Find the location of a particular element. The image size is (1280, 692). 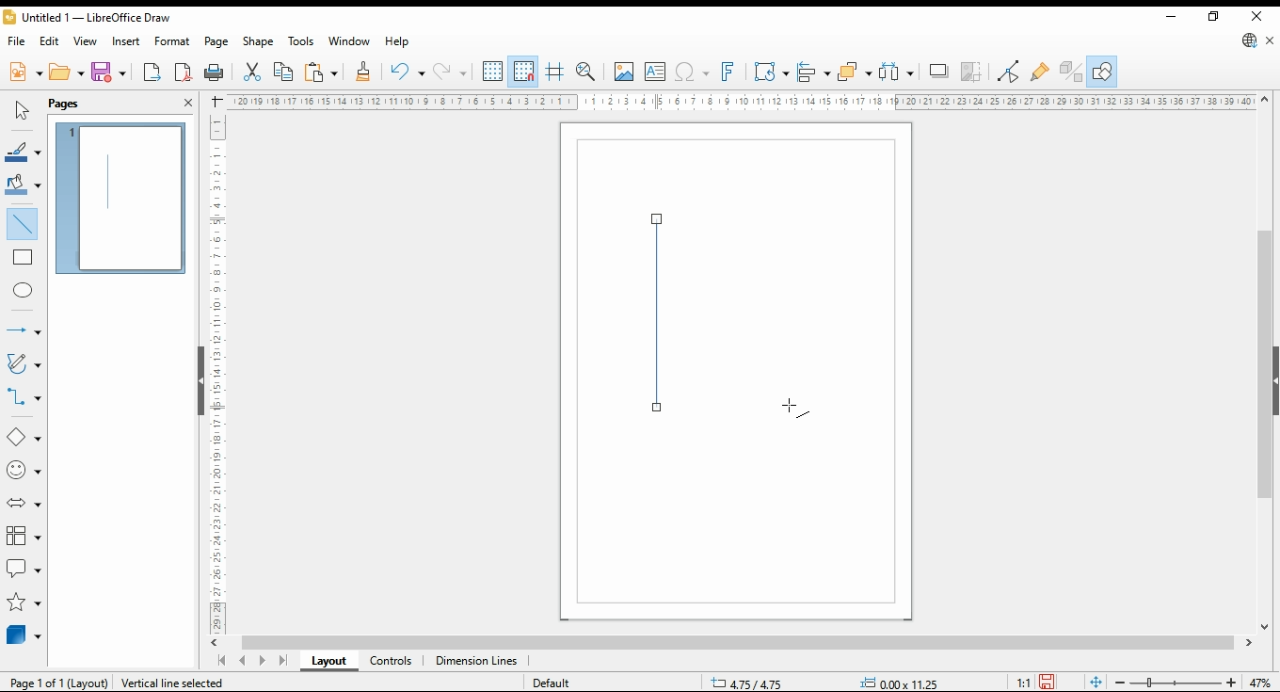

view is located at coordinates (86, 42).